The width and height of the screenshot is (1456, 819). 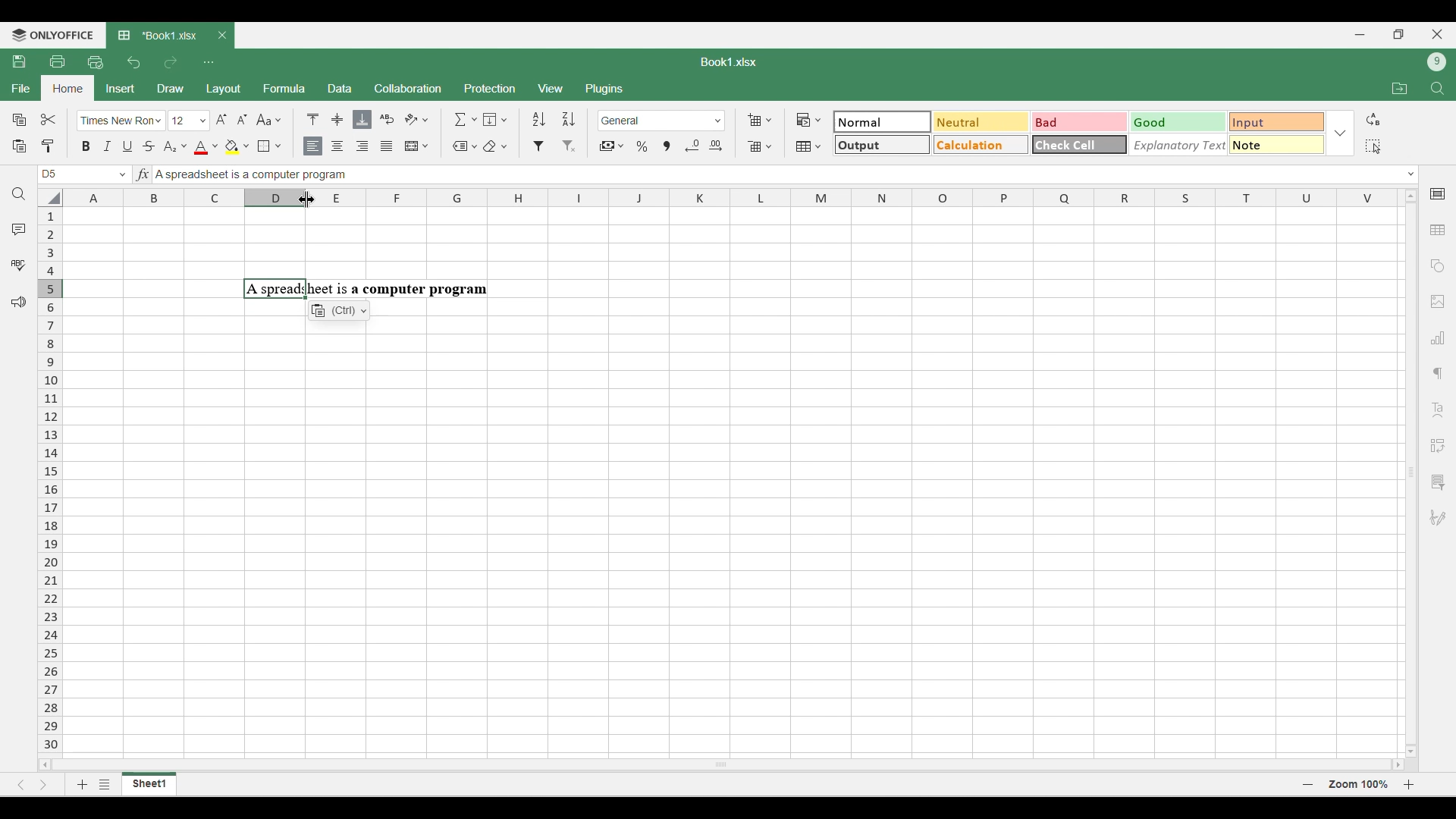 I want to click on Text setting options, so click(x=339, y=310).